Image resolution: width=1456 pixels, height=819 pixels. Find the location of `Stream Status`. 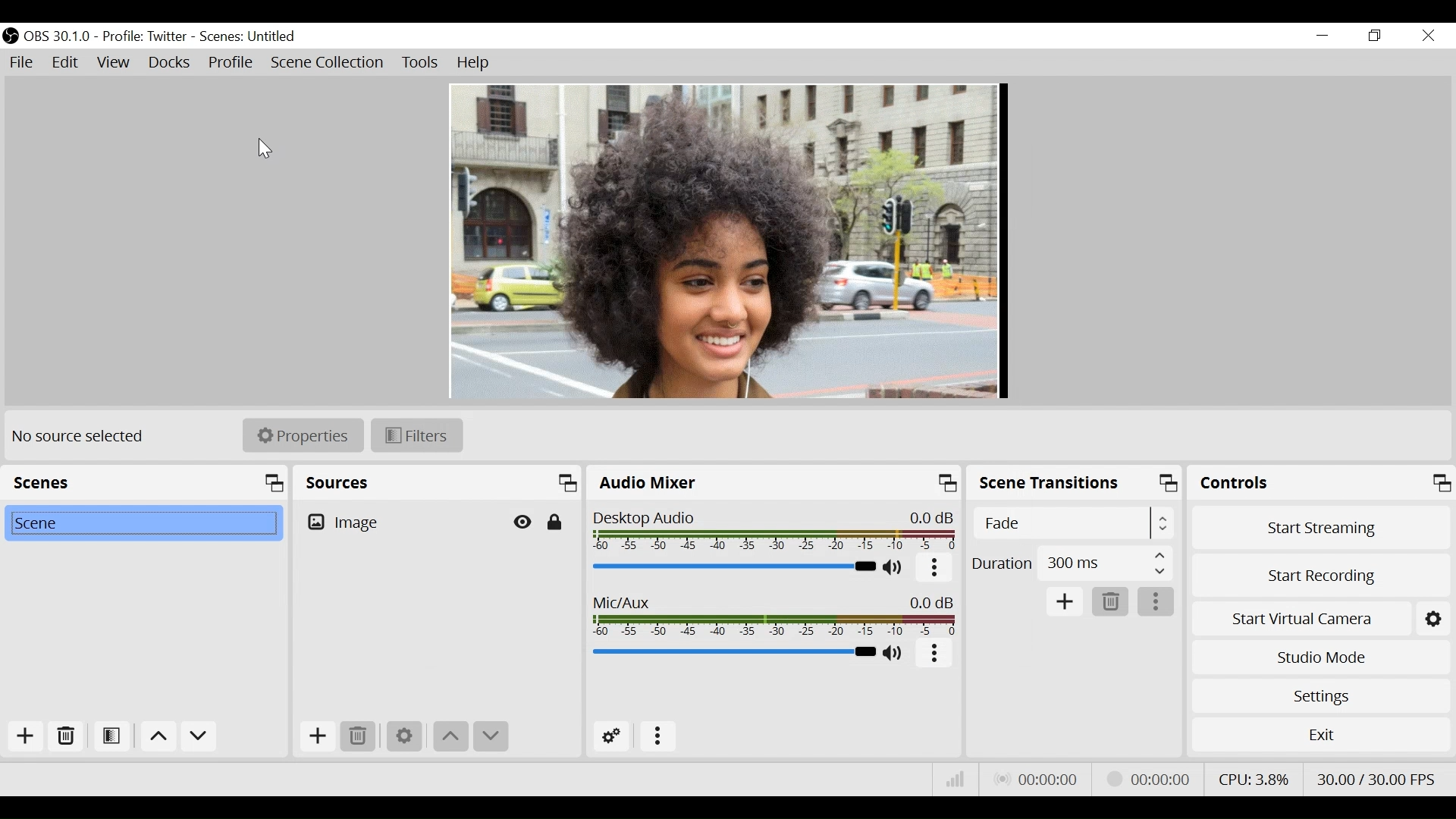

Stream Status is located at coordinates (1150, 778).